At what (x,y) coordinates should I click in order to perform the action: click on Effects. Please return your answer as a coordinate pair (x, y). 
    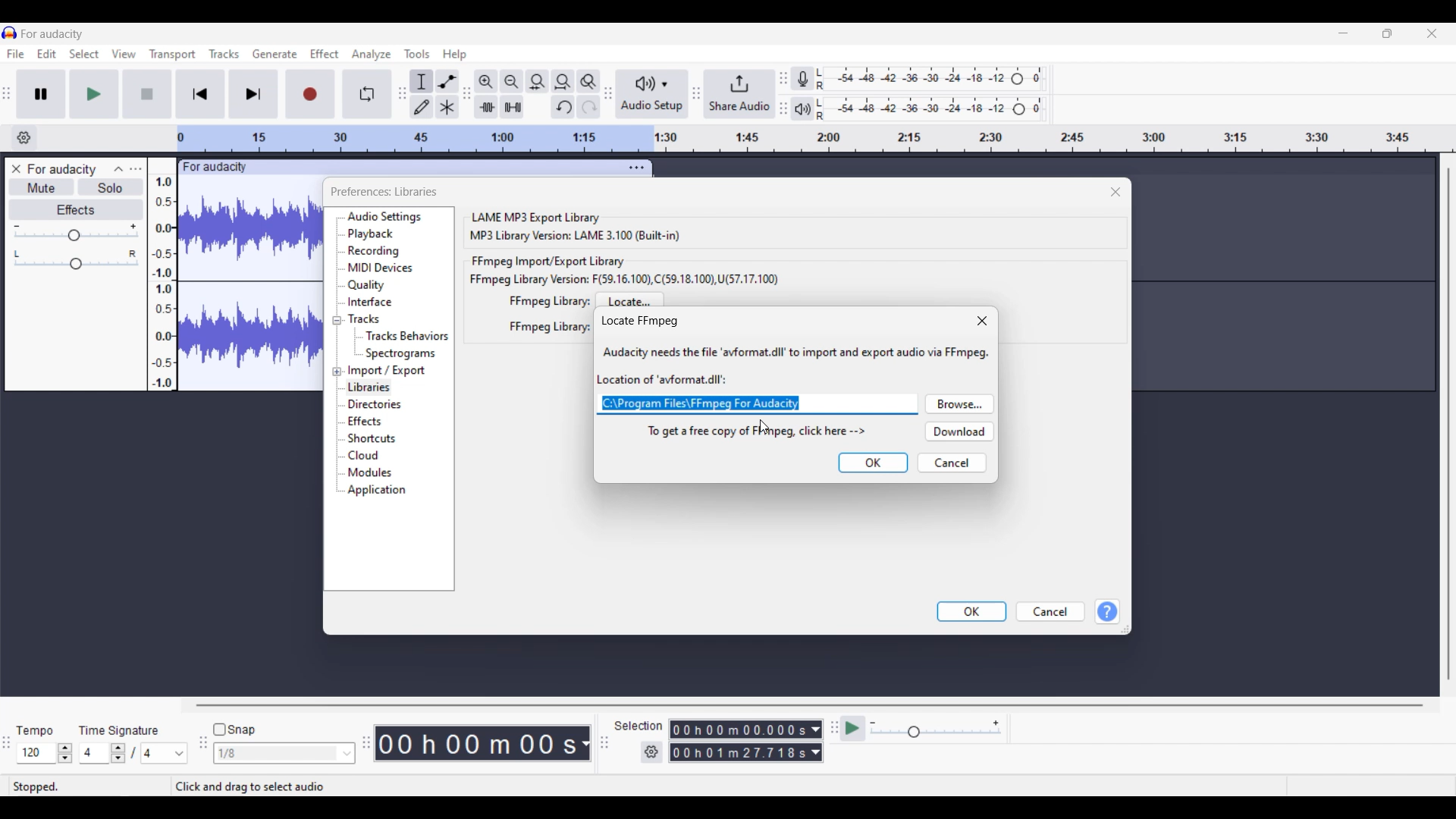
    Looking at the image, I should click on (366, 422).